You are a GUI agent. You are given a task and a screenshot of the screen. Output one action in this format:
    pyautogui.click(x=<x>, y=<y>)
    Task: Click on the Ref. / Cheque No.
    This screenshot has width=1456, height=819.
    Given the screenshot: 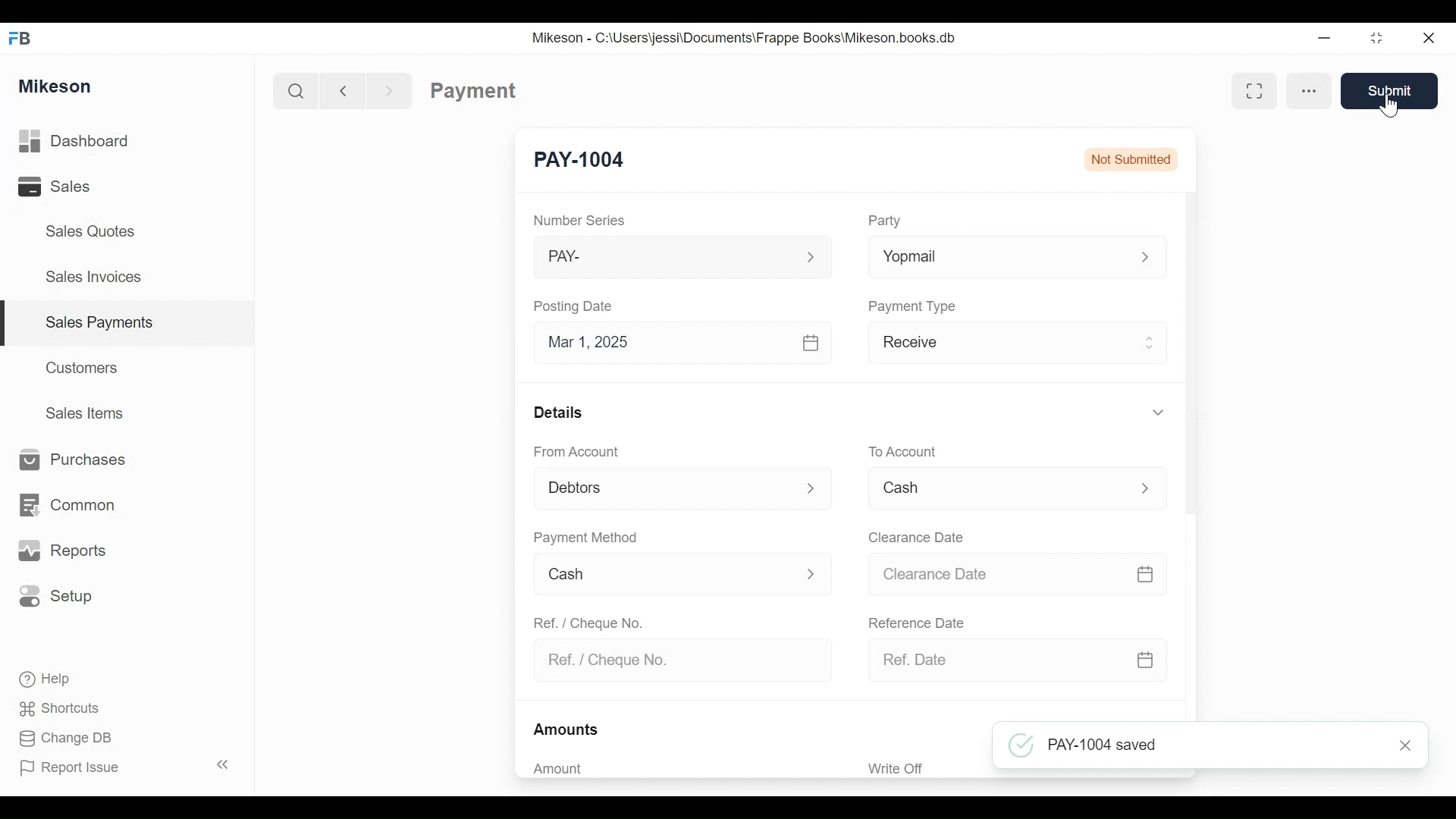 What is the action you would take?
    pyautogui.click(x=595, y=622)
    